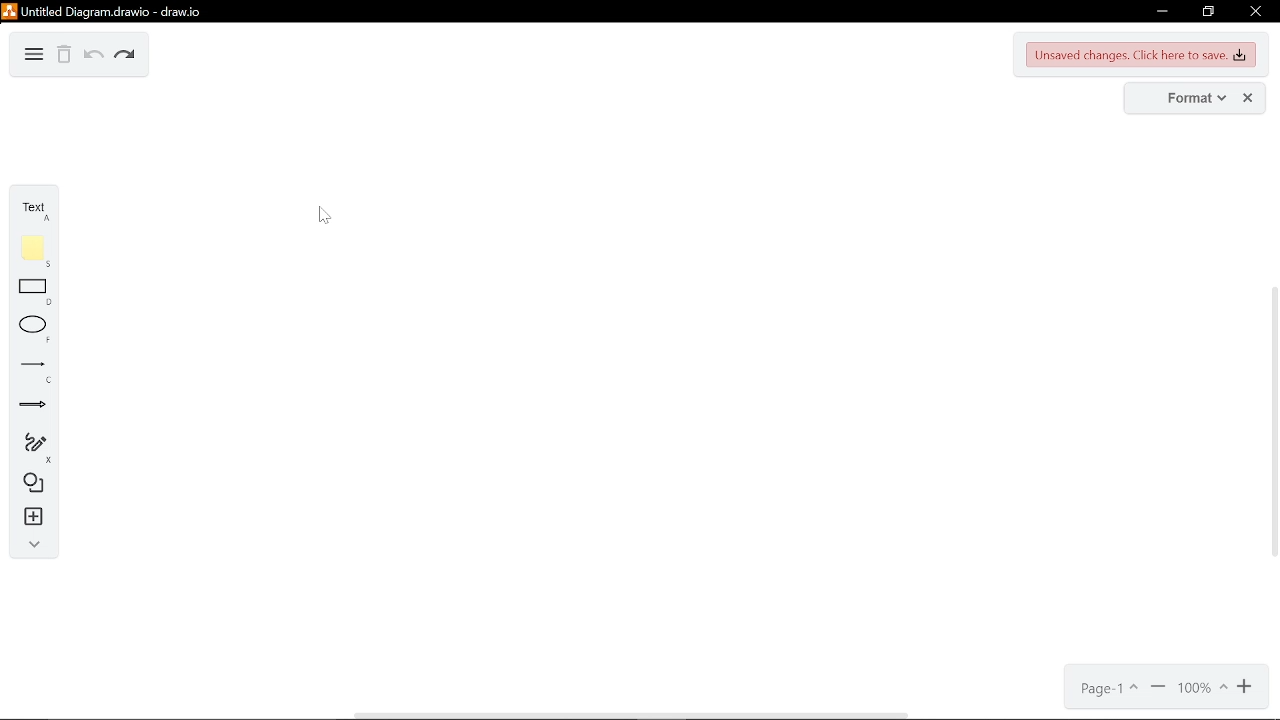 This screenshot has width=1280, height=720. Describe the element at coordinates (1254, 13) in the screenshot. I see `close` at that location.